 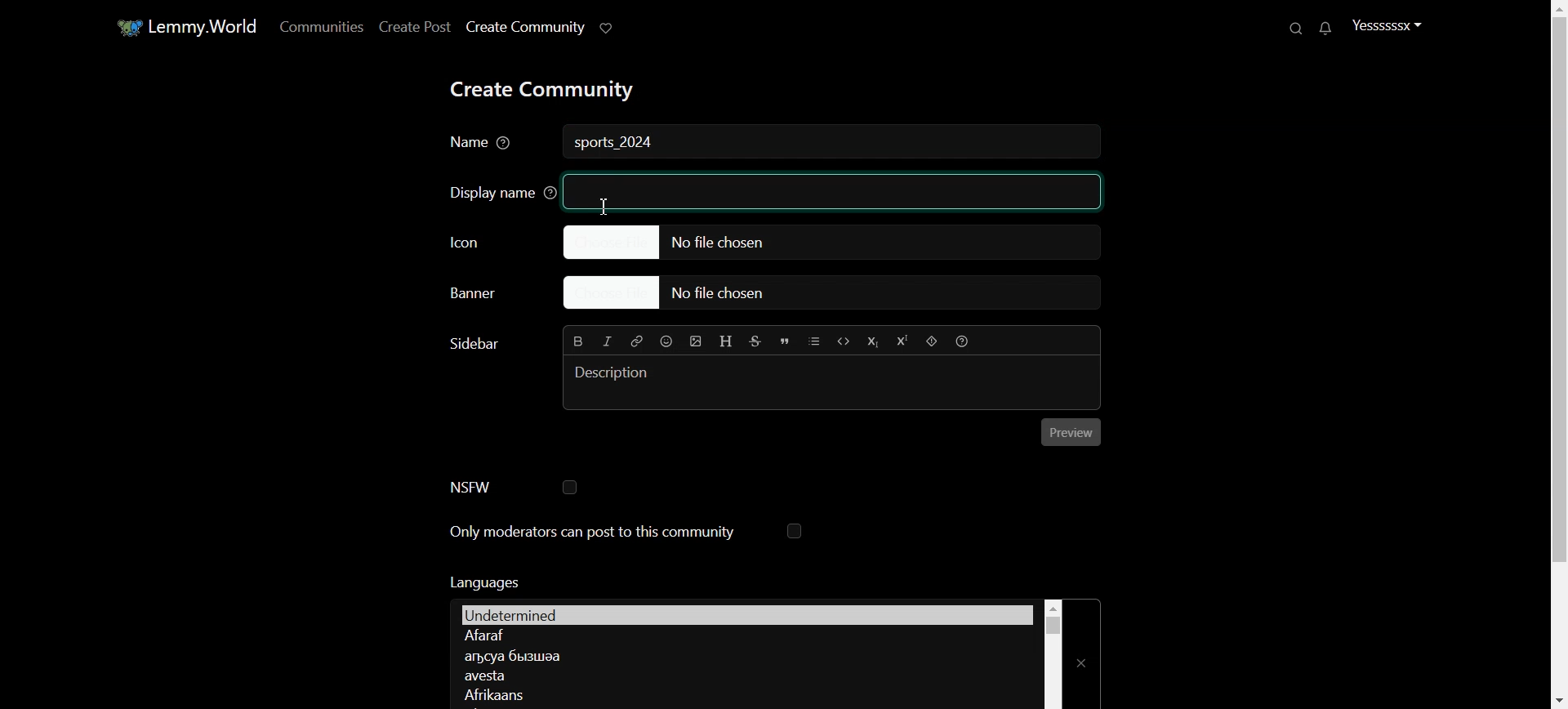 I want to click on Name, so click(x=483, y=144).